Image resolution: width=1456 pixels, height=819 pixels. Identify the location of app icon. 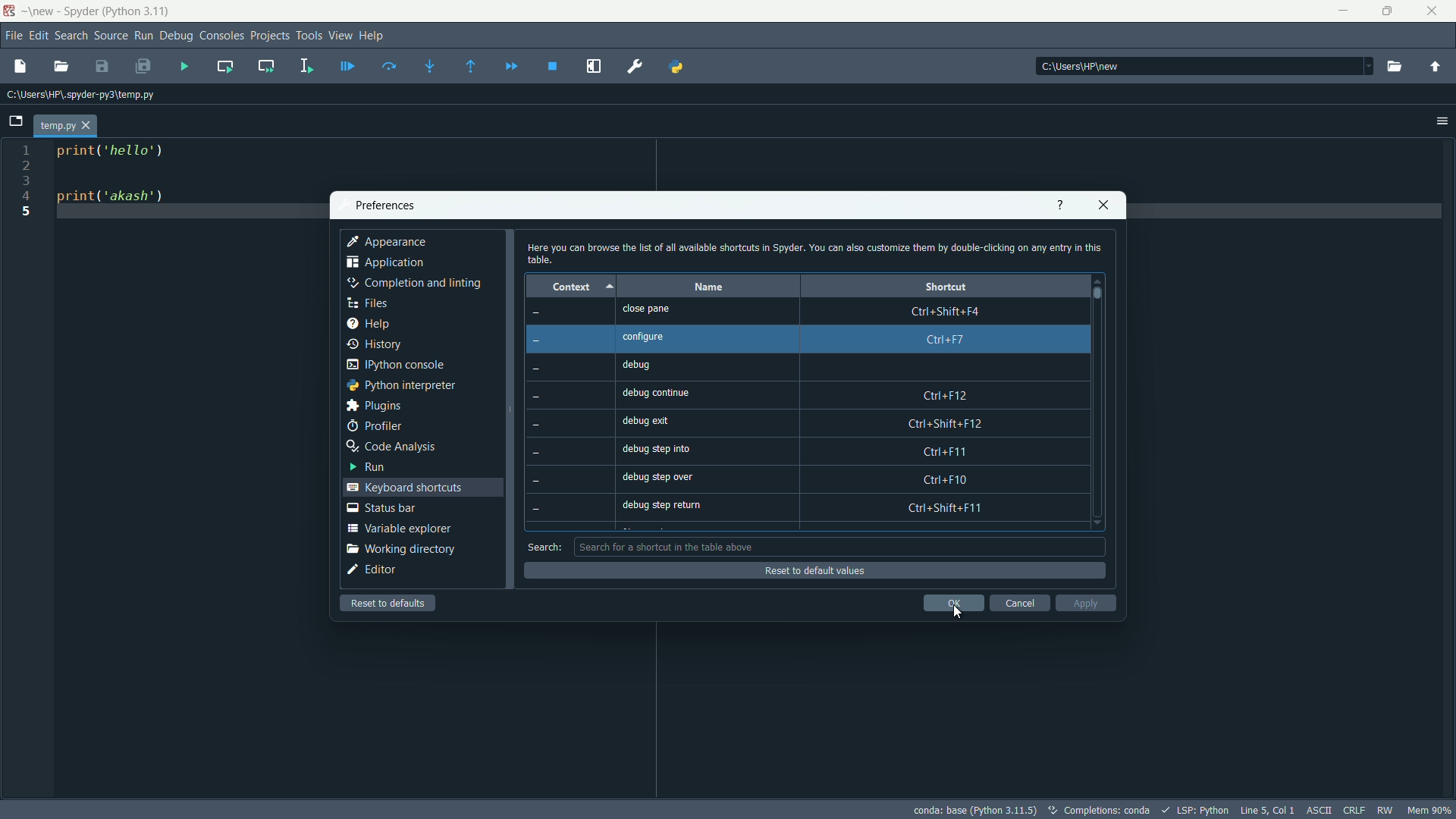
(10, 10).